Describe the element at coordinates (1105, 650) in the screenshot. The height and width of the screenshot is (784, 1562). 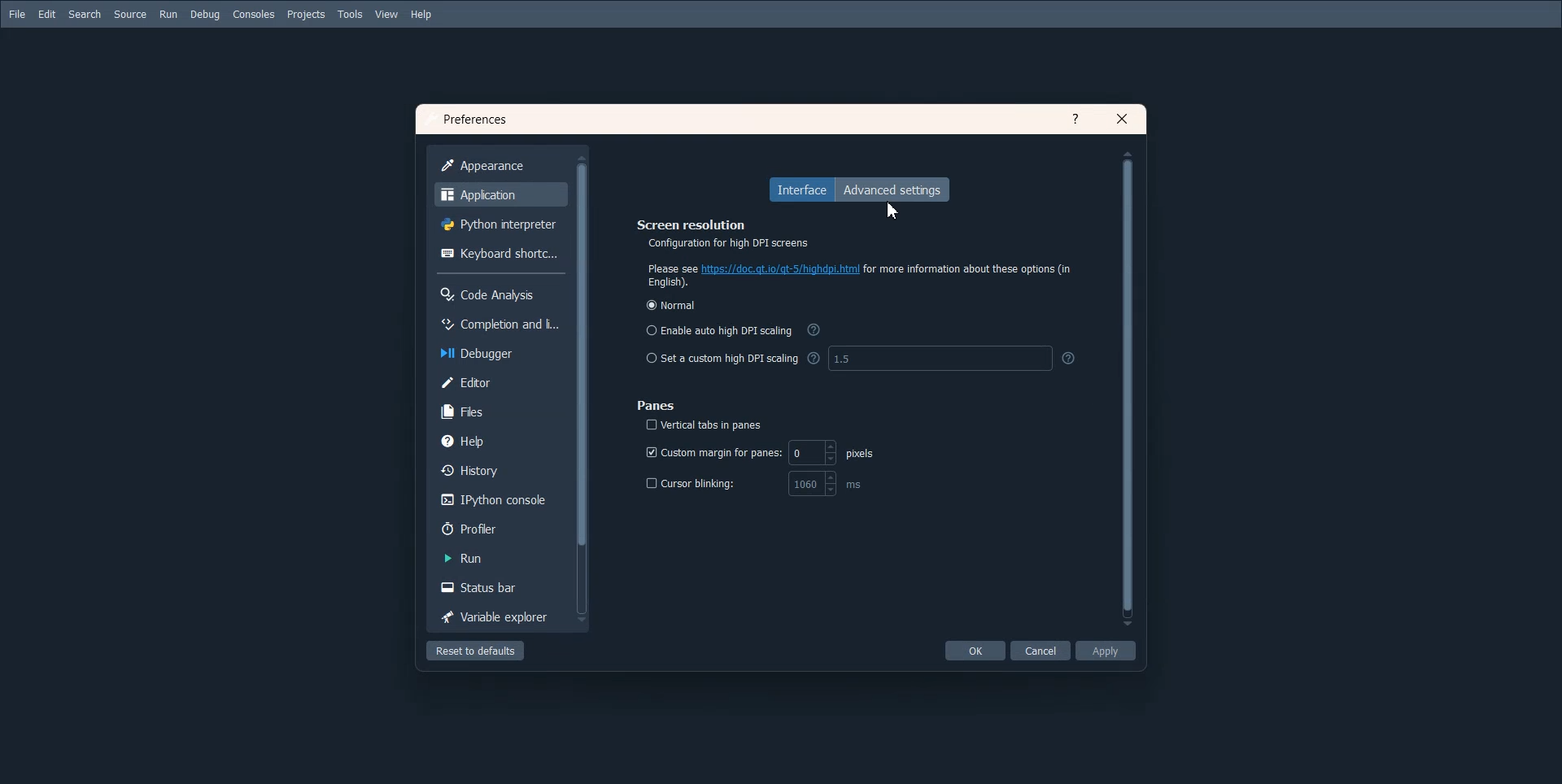
I see `Apply` at that location.